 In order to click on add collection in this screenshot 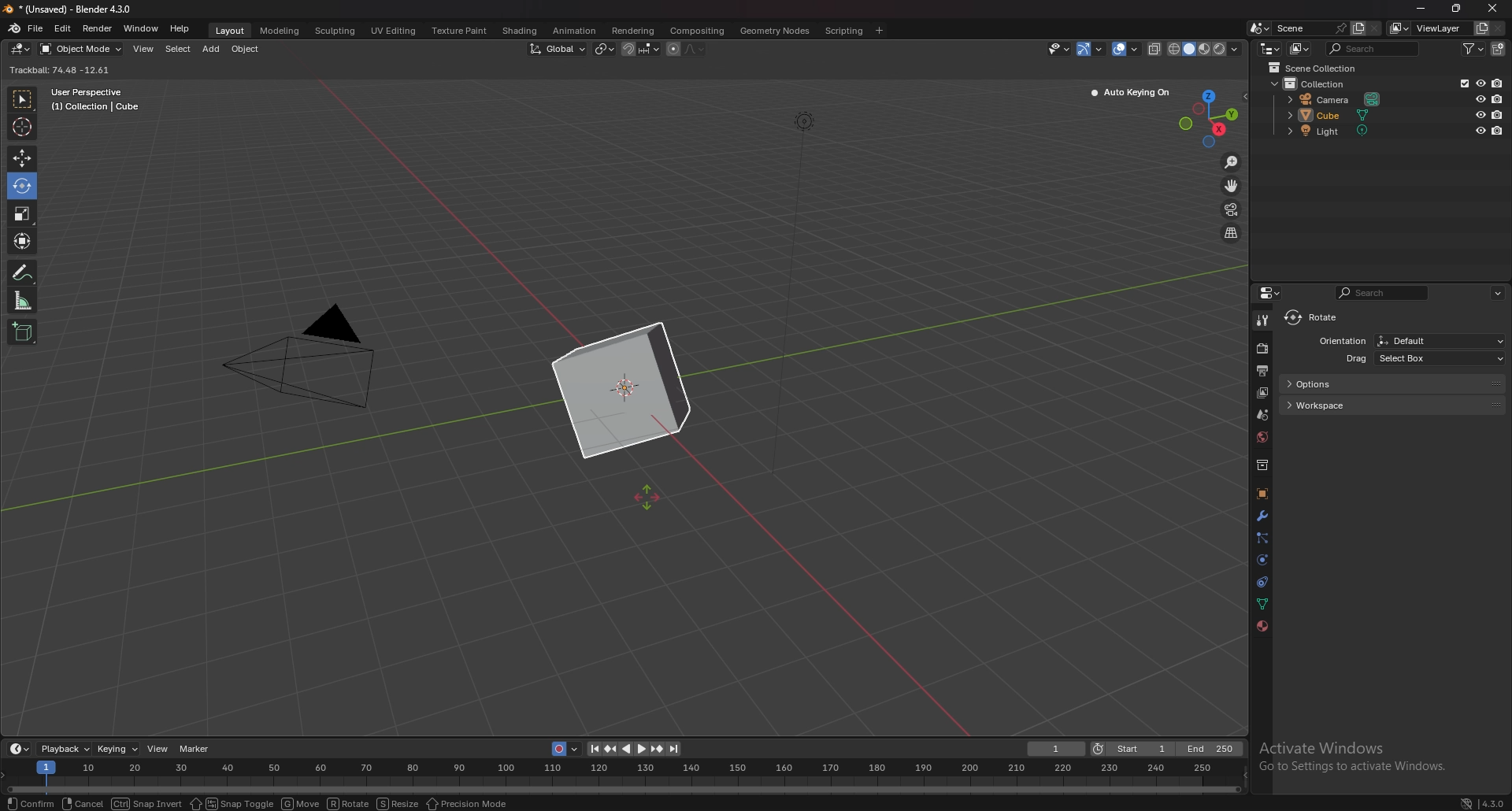, I will do `click(1498, 49)`.